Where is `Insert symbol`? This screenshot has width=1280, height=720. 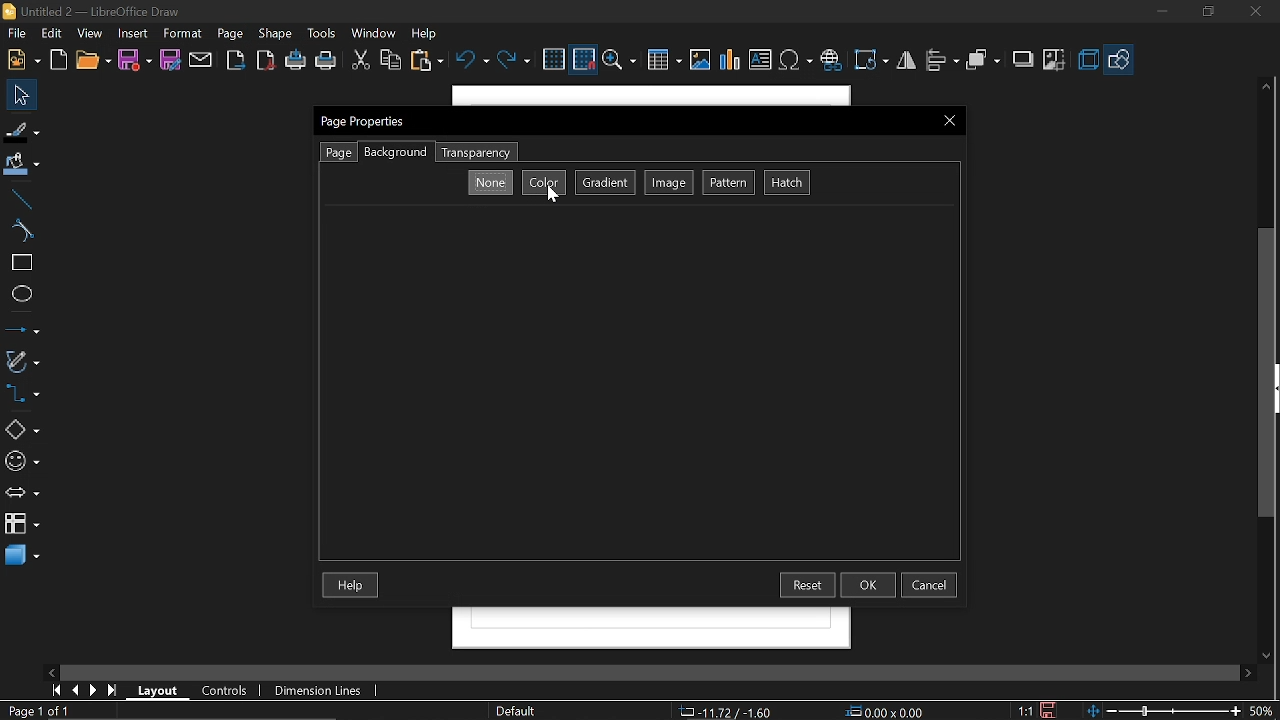 Insert symbol is located at coordinates (796, 61).